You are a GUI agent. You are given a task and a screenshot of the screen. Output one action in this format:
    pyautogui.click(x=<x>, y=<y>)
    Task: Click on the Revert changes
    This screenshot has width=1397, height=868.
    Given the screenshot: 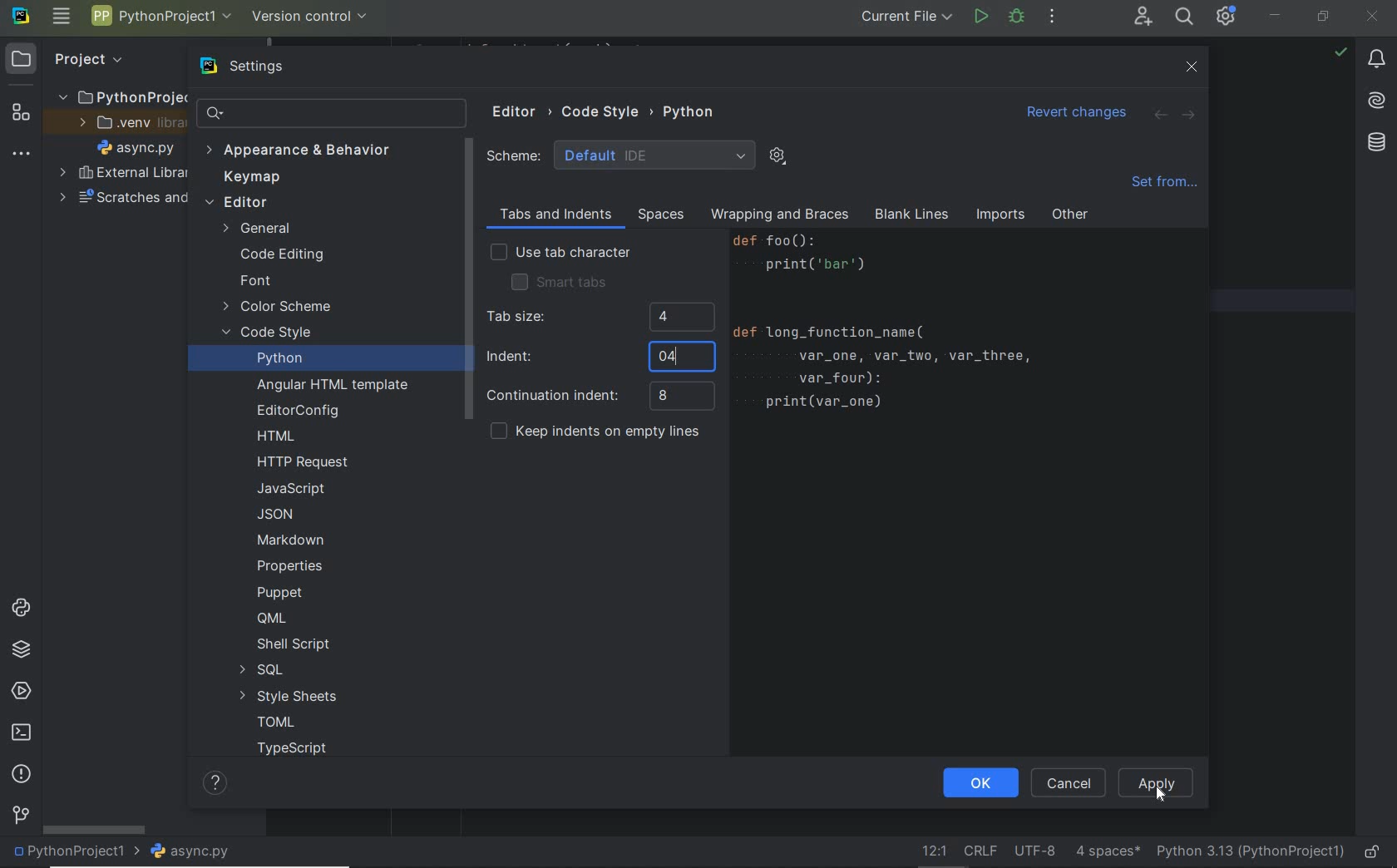 What is the action you would take?
    pyautogui.click(x=1078, y=112)
    